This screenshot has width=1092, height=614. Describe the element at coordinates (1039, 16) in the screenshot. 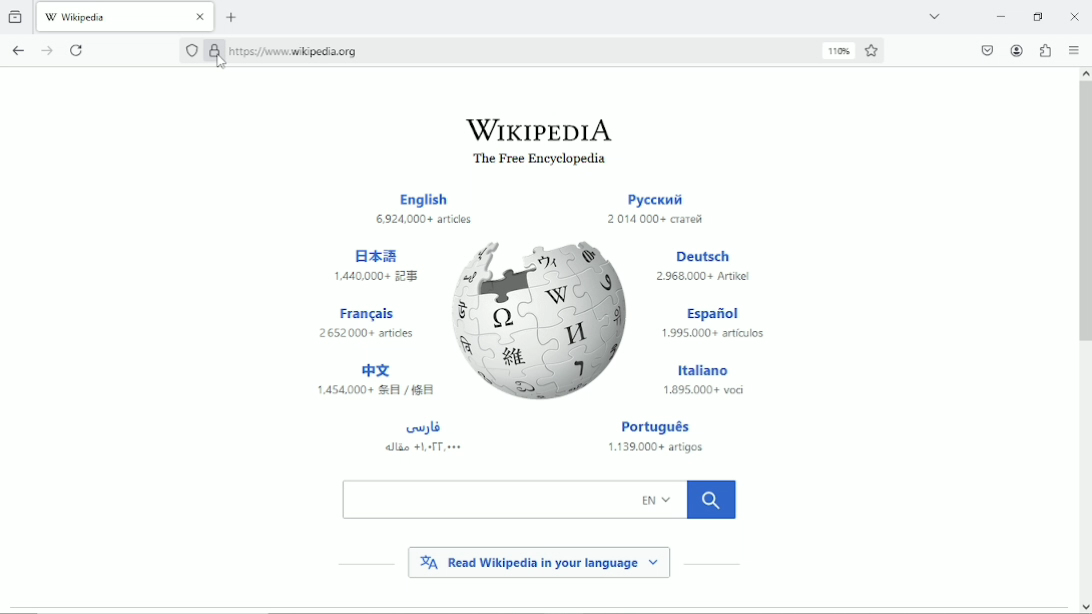

I see `restore down` at that location.